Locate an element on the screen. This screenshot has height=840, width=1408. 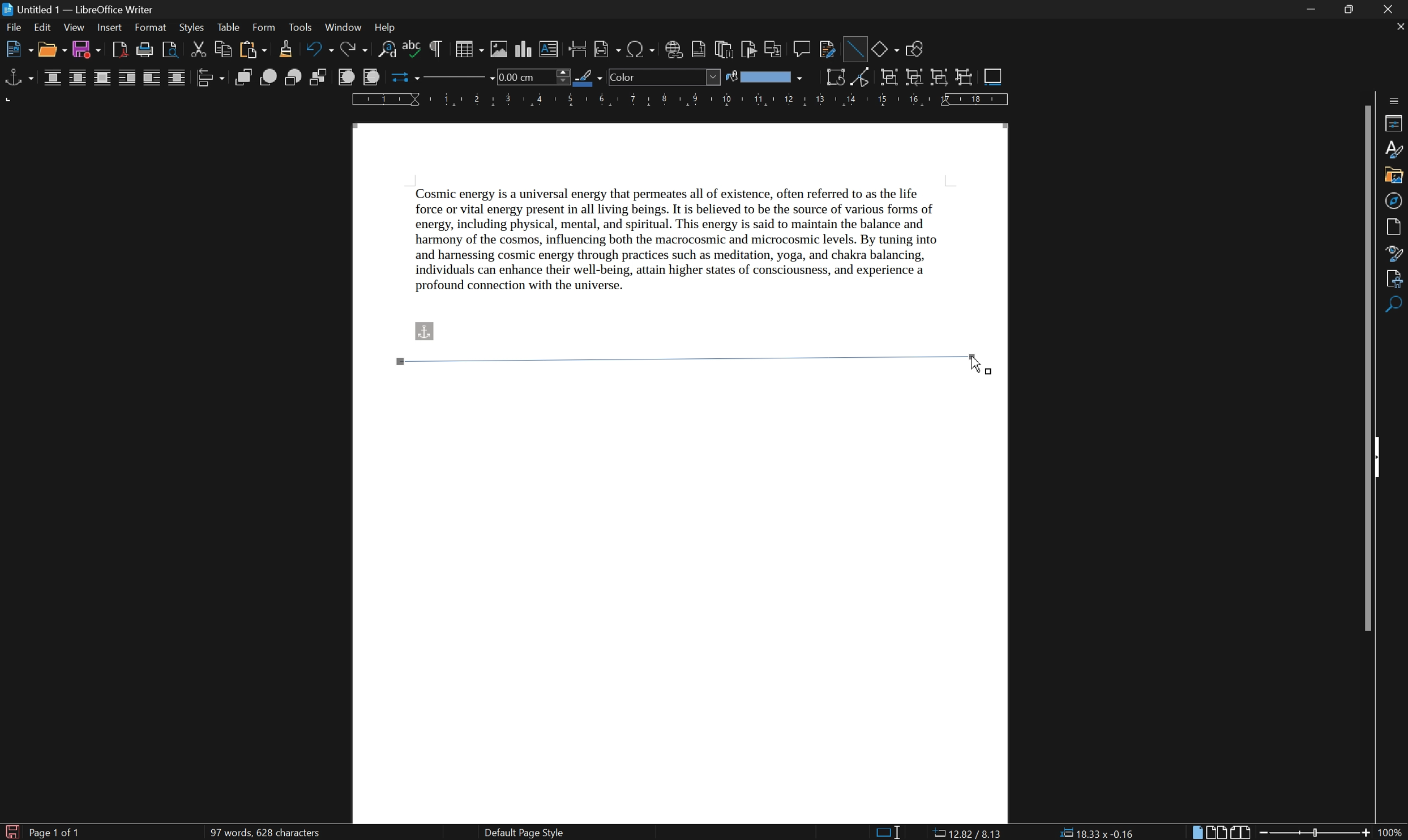
view is located at coordinates (74, 28).